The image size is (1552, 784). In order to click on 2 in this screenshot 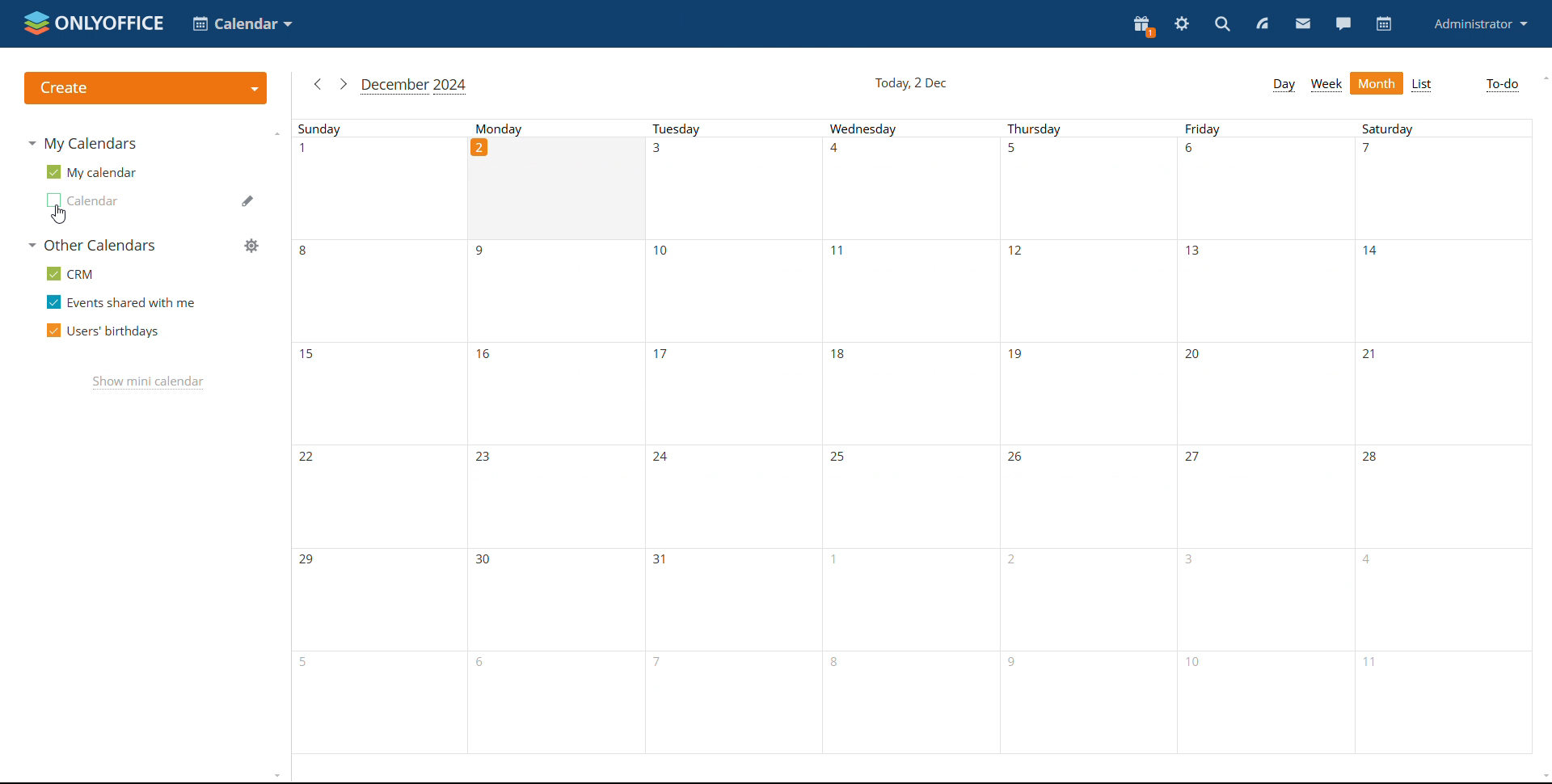, I will do `click(1086, 598)`.